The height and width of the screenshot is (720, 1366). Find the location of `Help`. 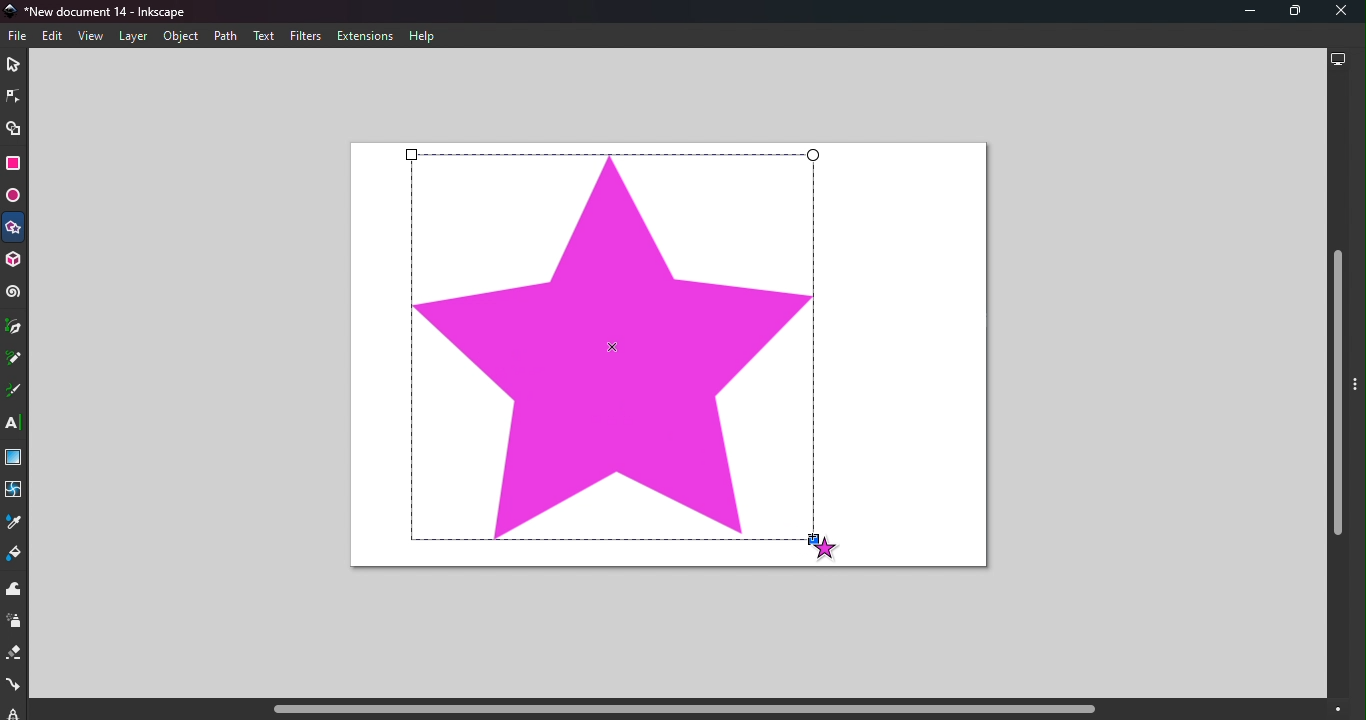

Help is located at coordinates (424, 37).